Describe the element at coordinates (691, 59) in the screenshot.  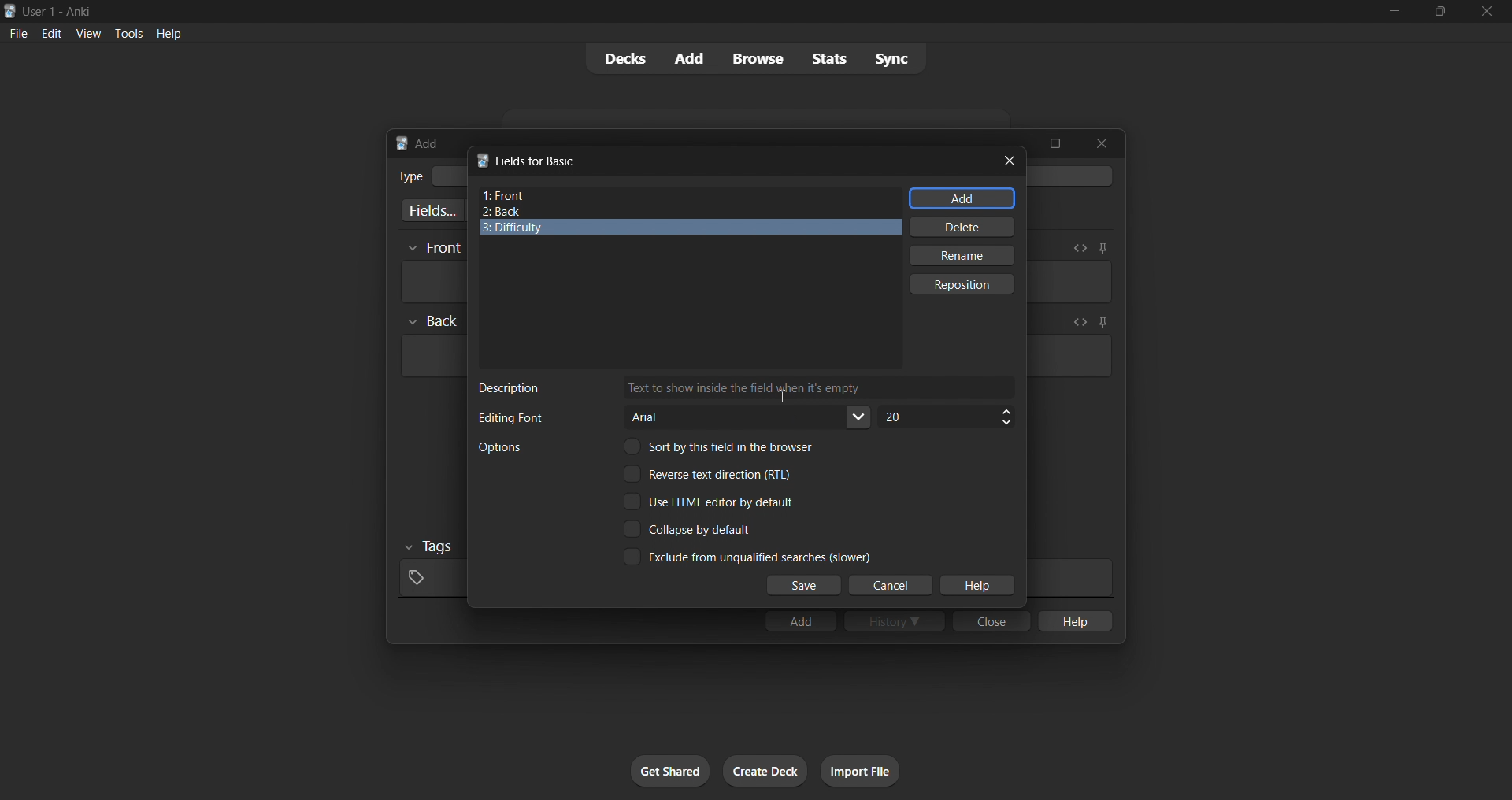
I see `add` at that location.